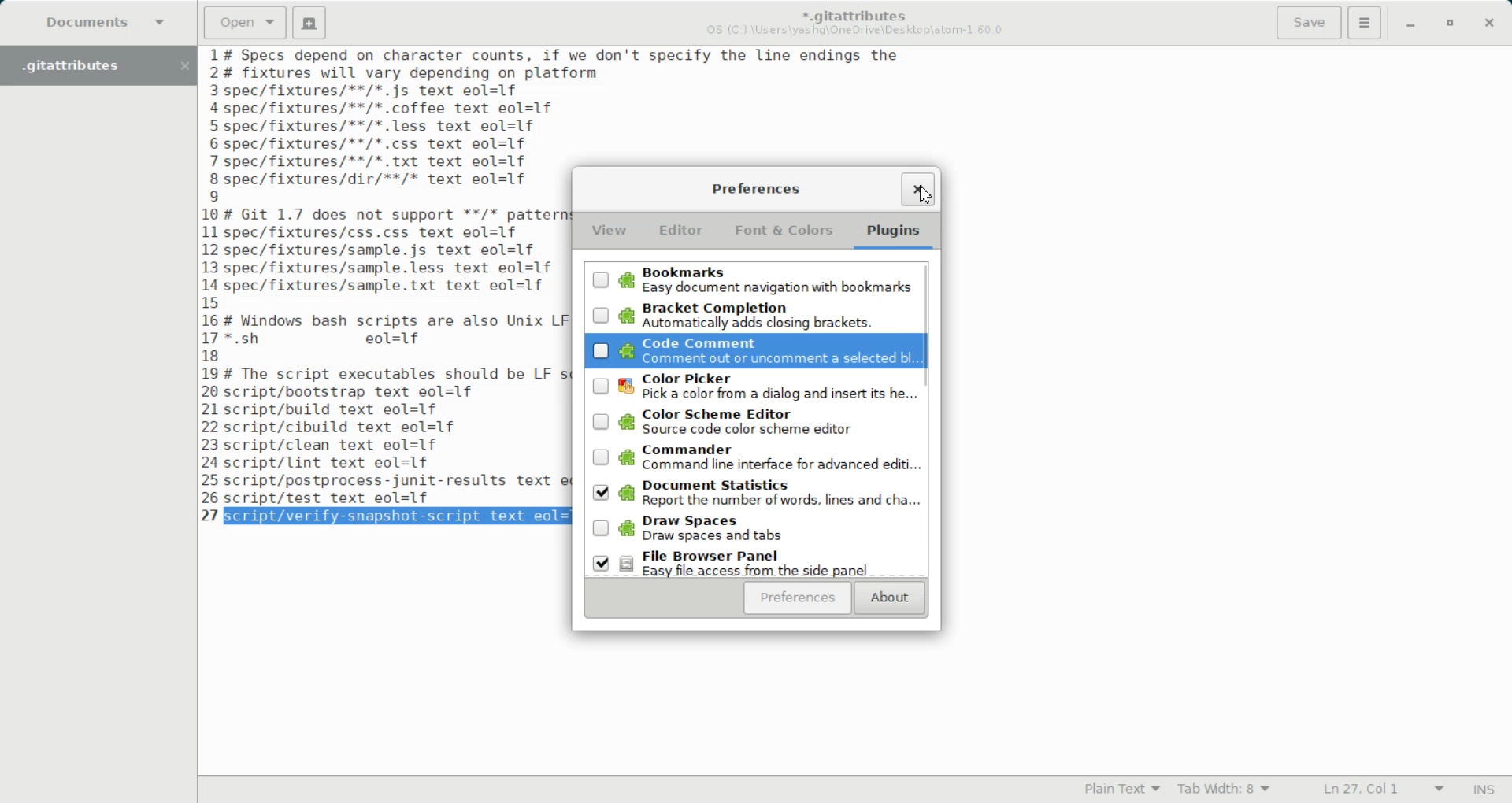  I want to click on Commander: Command line interface for advanced edit.., so click(749, 459).